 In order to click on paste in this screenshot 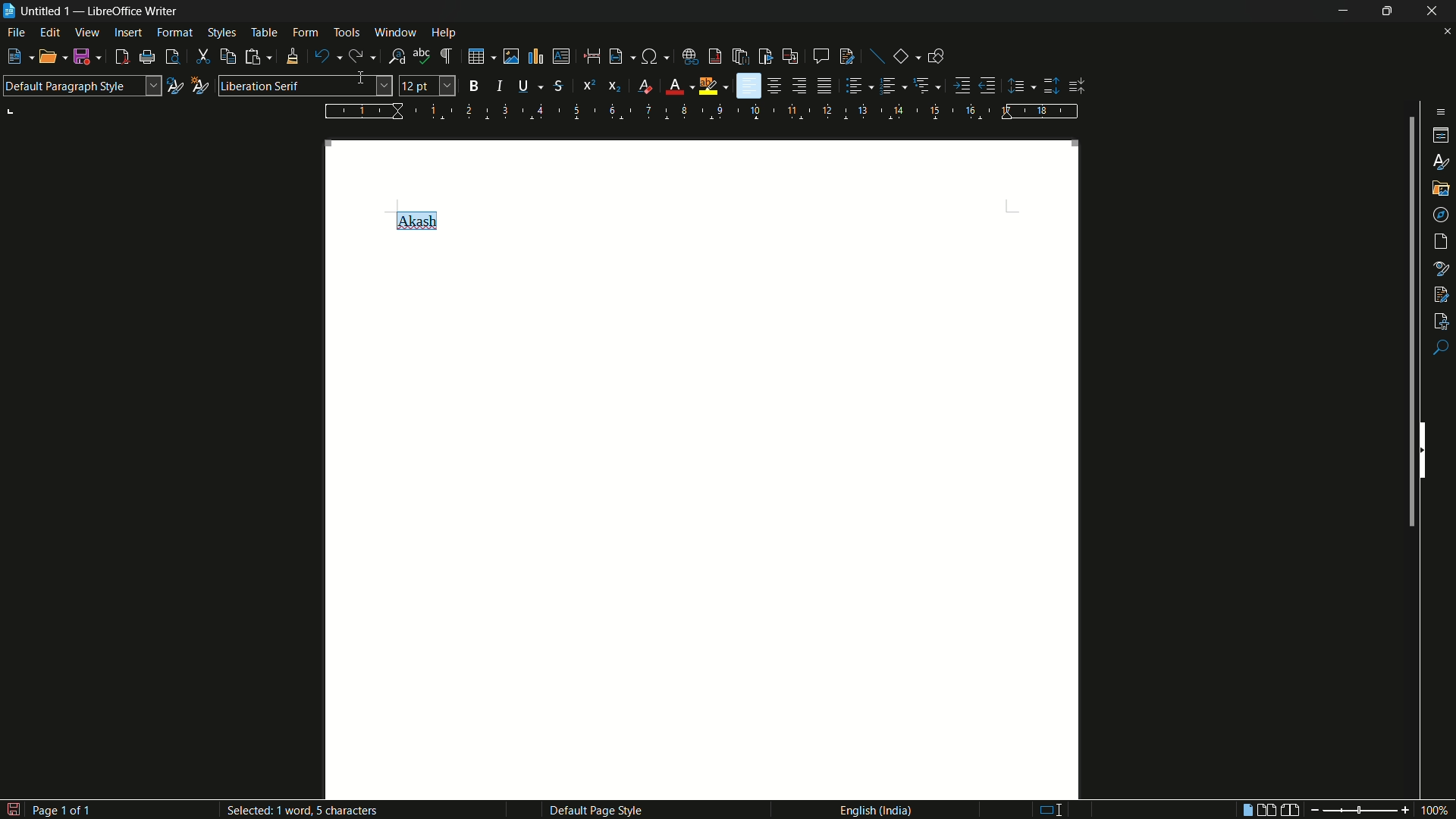, I will do `click(259, 57)`.